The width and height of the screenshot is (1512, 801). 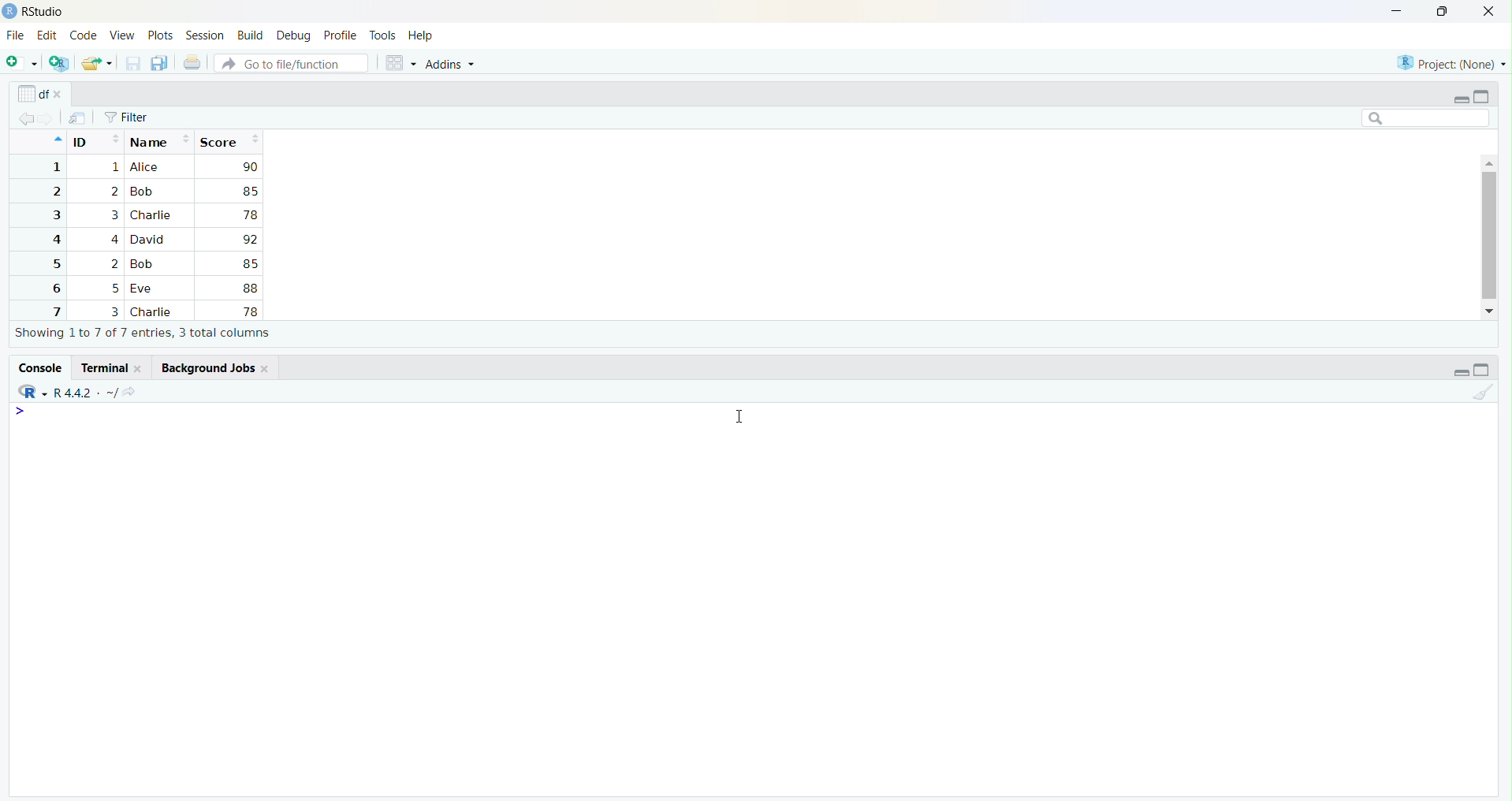 I want to click on background jobs, so click(x=204, y=367).